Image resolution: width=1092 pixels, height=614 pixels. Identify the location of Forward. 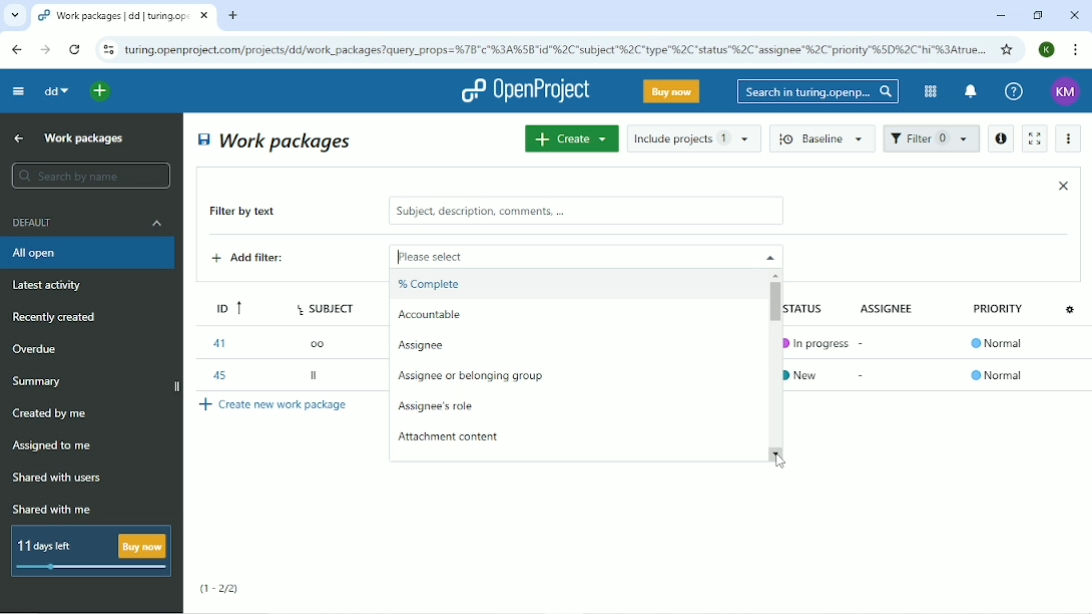
(43, 50).